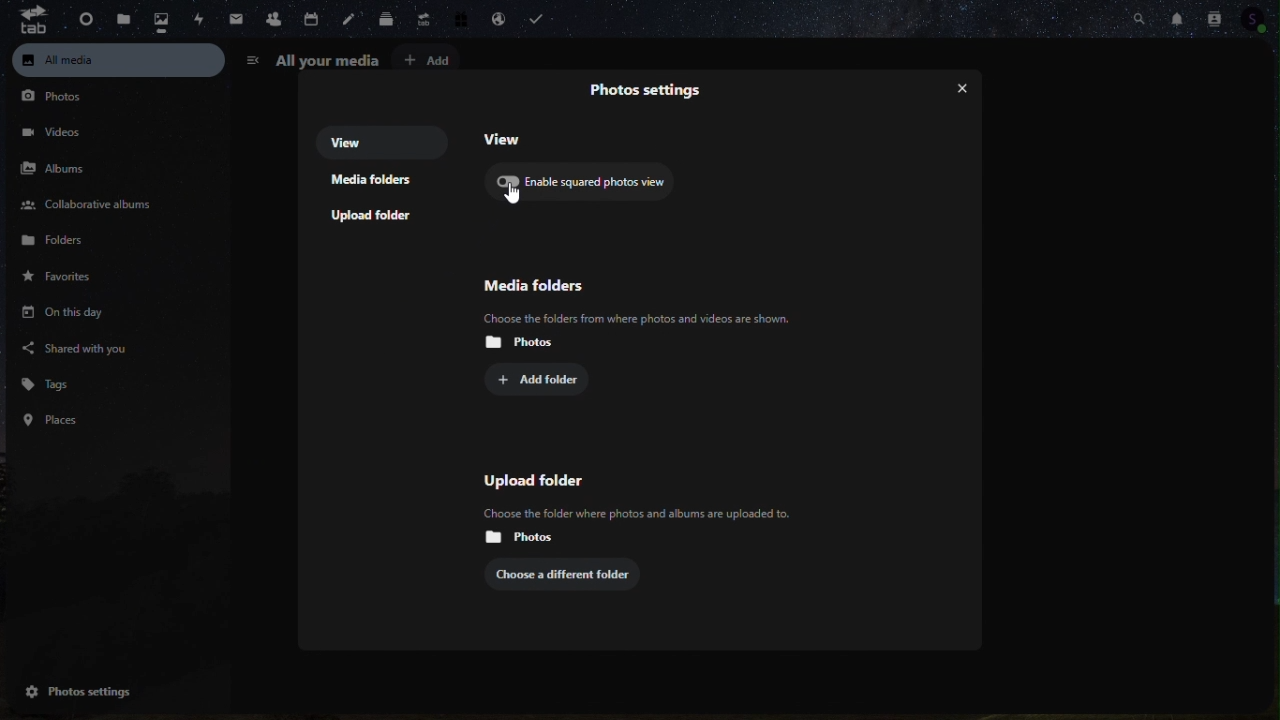  What do you see at coordinates (94, 691) in the screenshot?
I see `Photos settings` at bounding box center [94, 691].